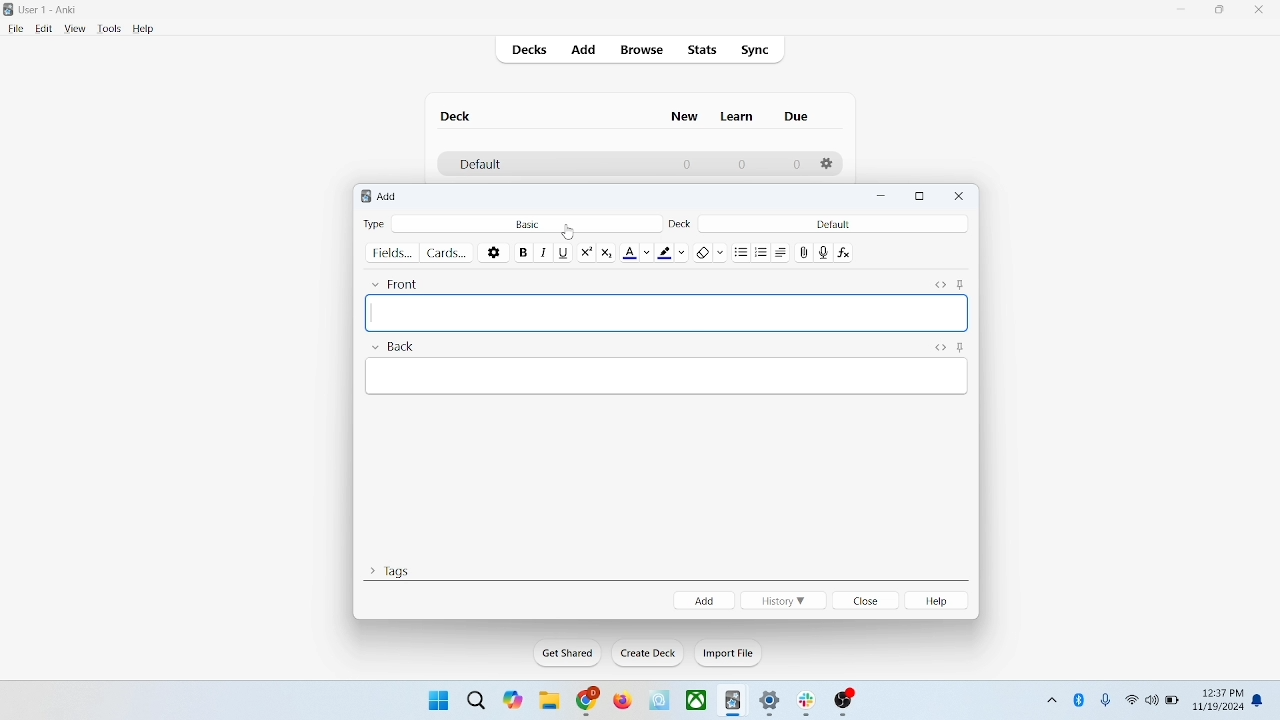  I want to click on minimize, so click(1183, 10).